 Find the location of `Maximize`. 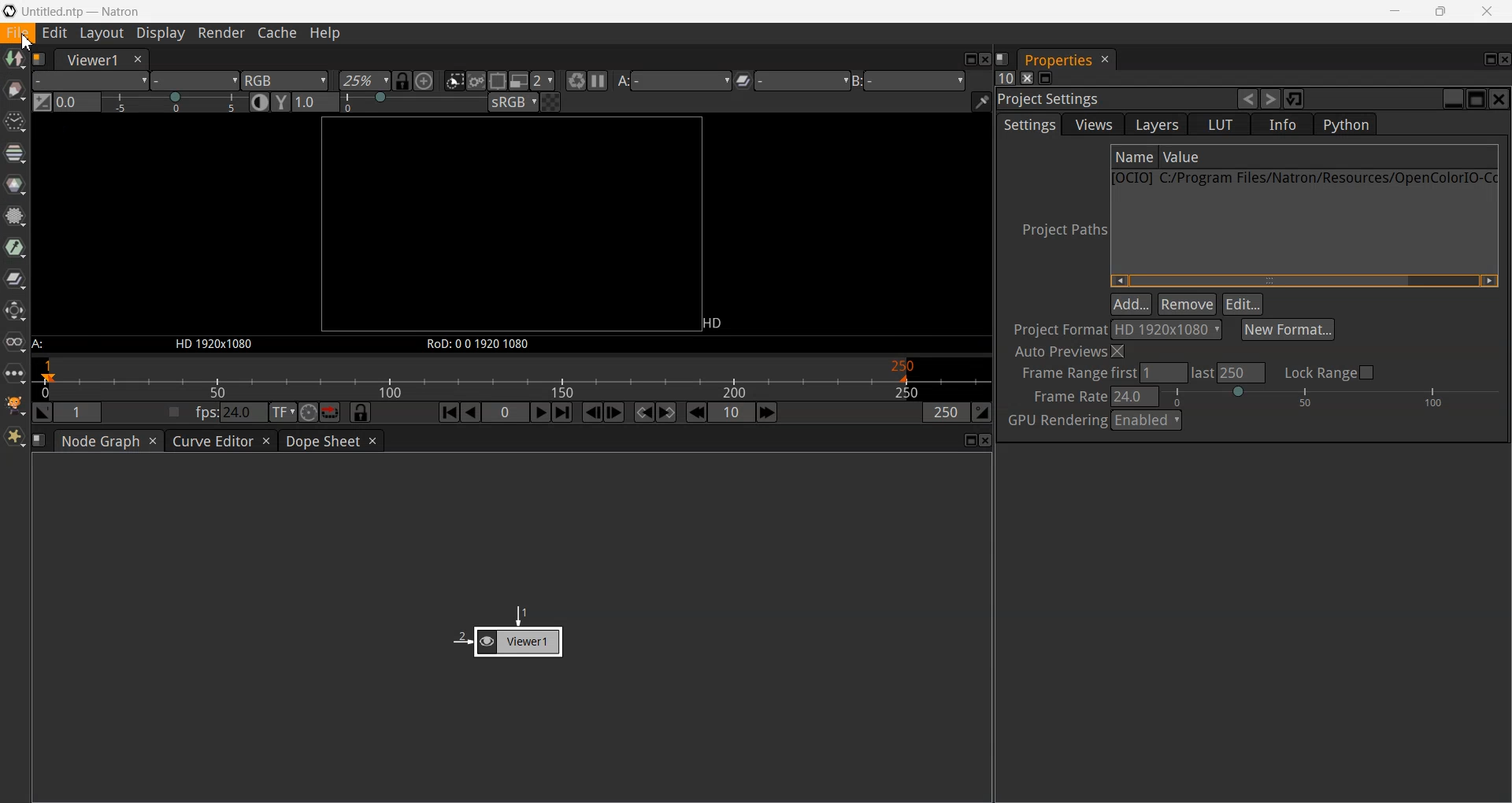

Maximize is located at coordinates (969, 59).